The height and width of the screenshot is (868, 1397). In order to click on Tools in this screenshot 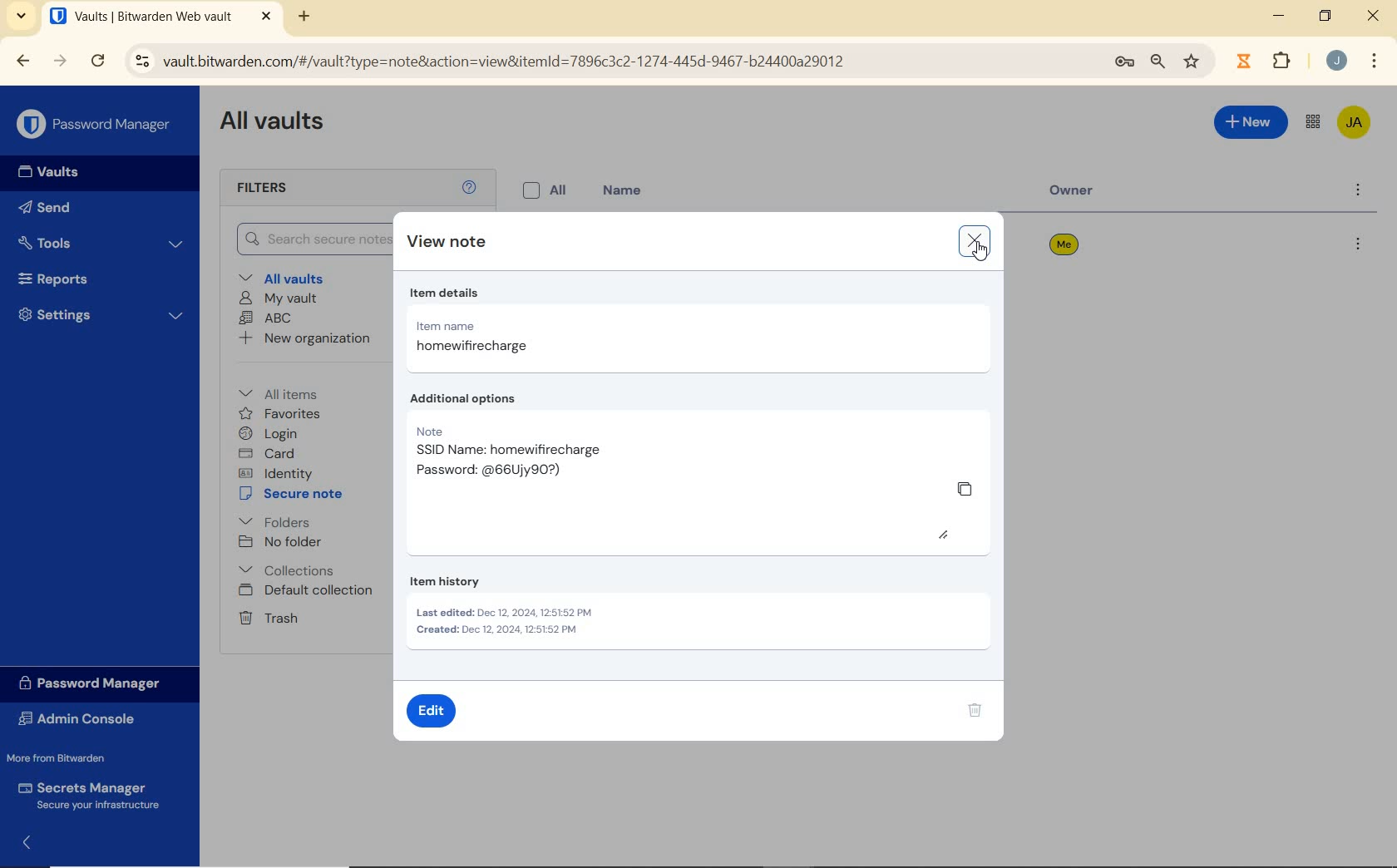, I will do `click(102, 242)`.